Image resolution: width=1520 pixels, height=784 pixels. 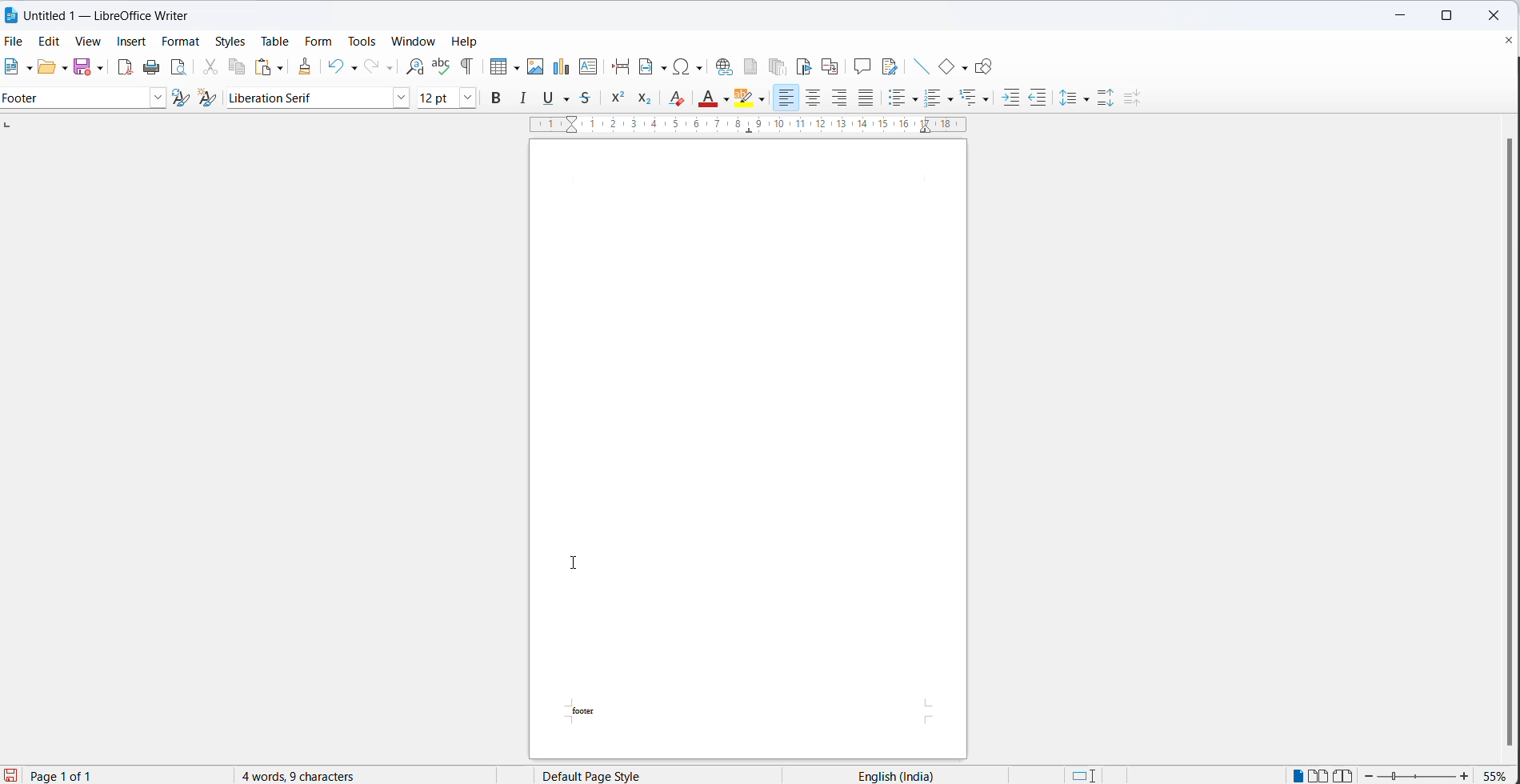 I want to click on save, so click(x=82, y=67).